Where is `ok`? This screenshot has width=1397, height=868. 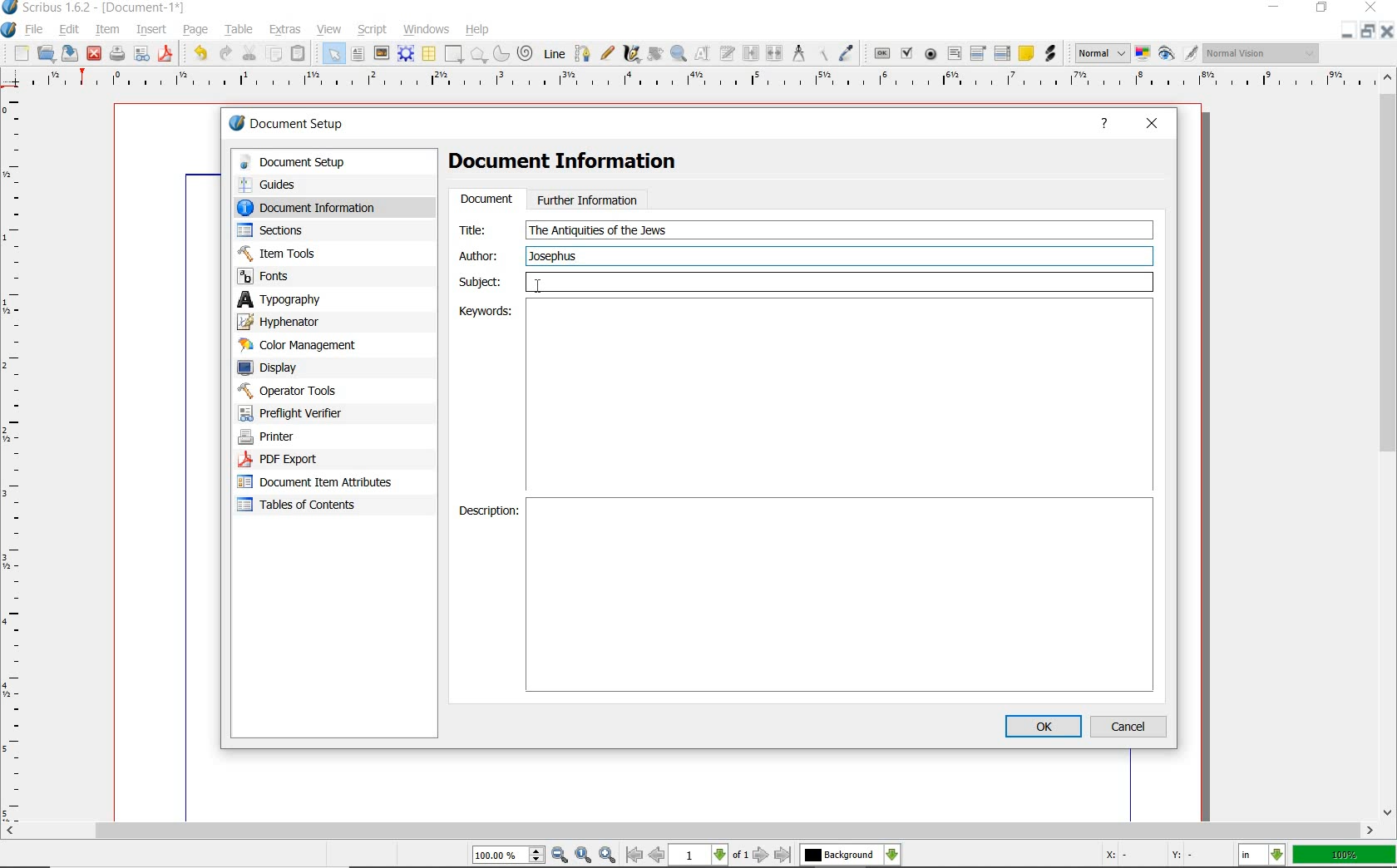
ok is located at coordinates (1043, 726).